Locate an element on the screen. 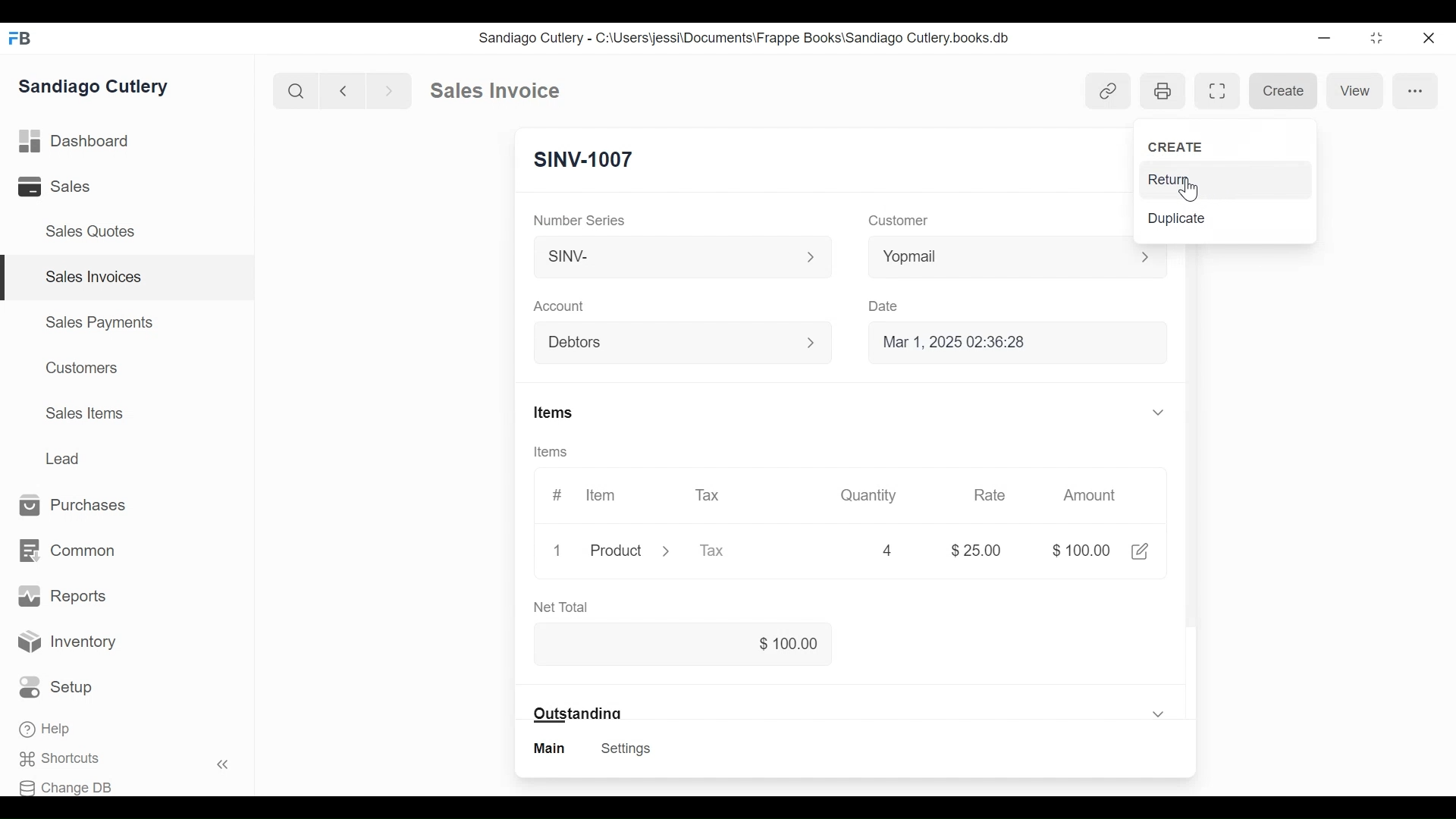 The width and height of the screenshot is (1456, 819). Product  is located at coordinates (628, 551).